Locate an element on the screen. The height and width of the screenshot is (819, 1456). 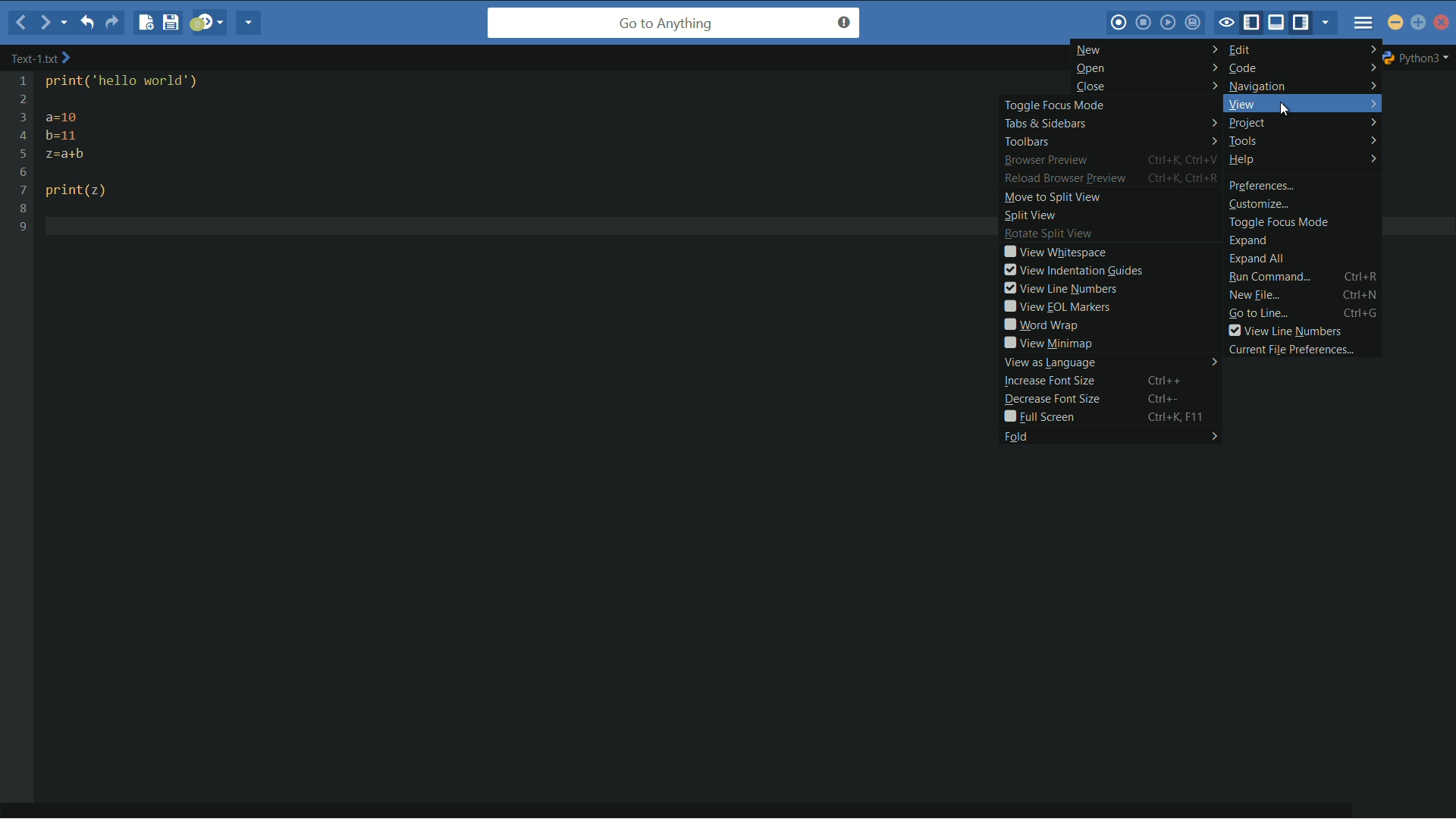
project is located at coordinates (1304, 124).